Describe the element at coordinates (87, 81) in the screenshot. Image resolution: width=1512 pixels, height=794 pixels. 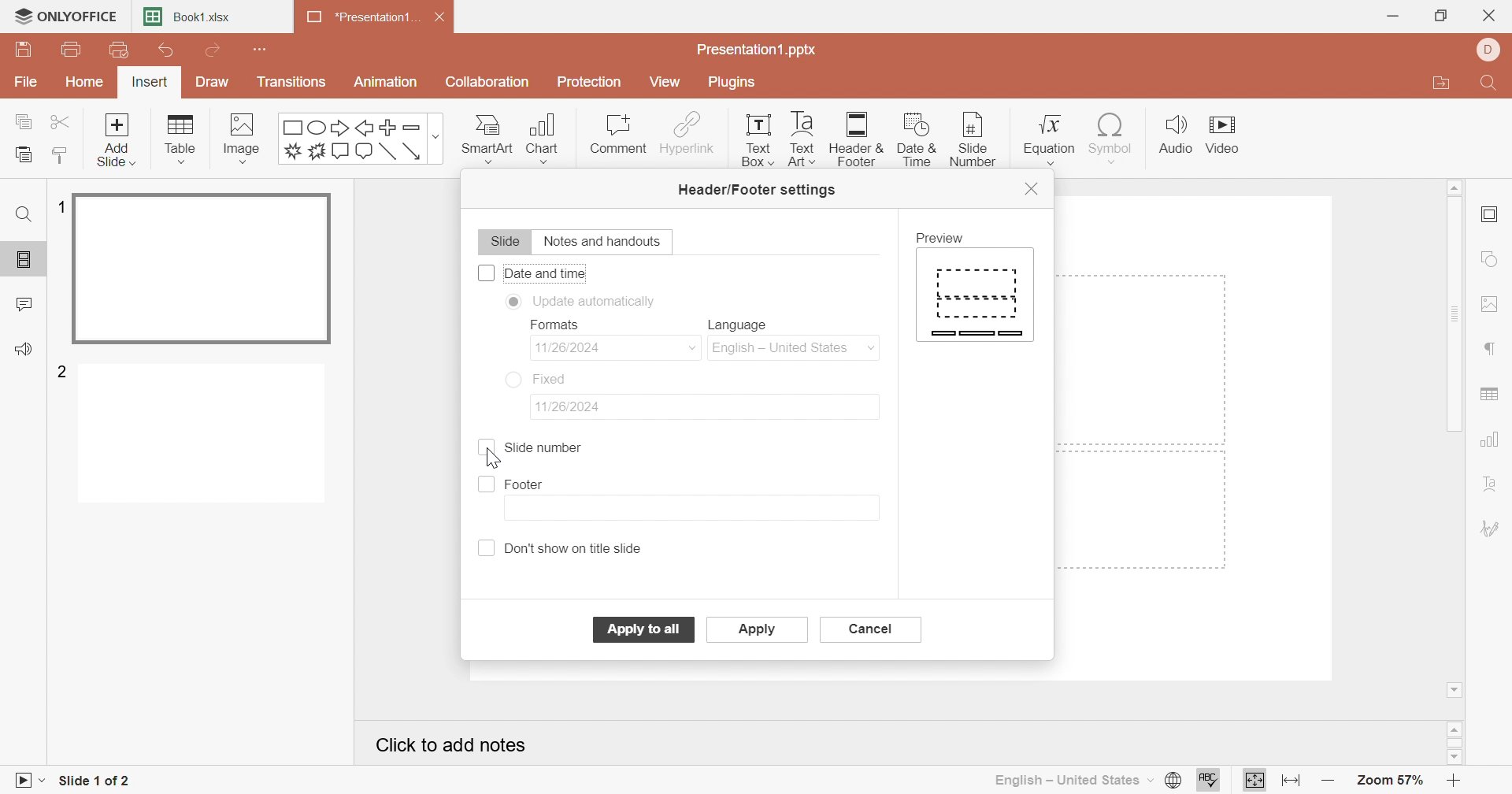
I see `Home` at that location.